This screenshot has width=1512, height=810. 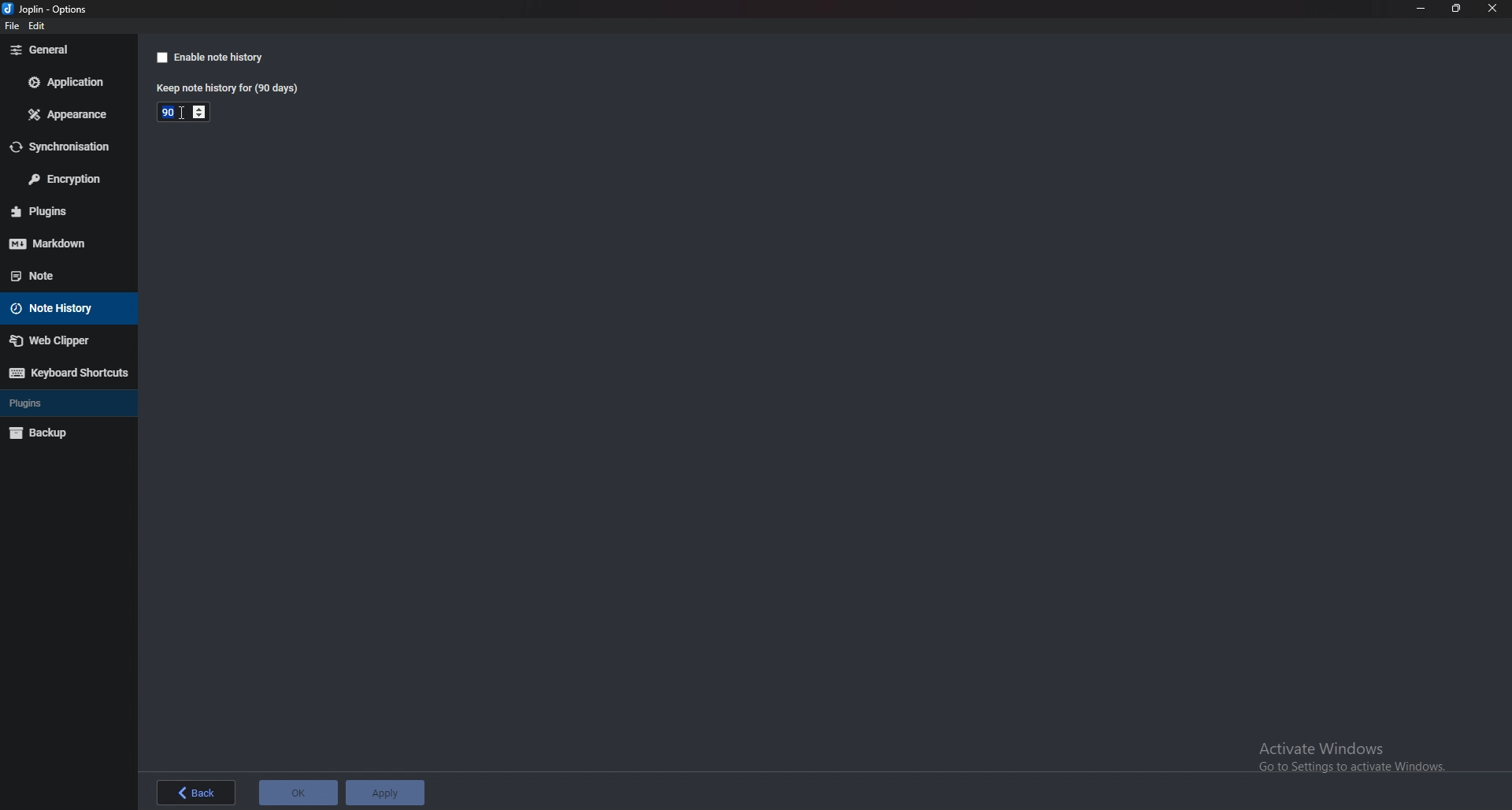 I want to click on plugins, so click(x=65, y=210).